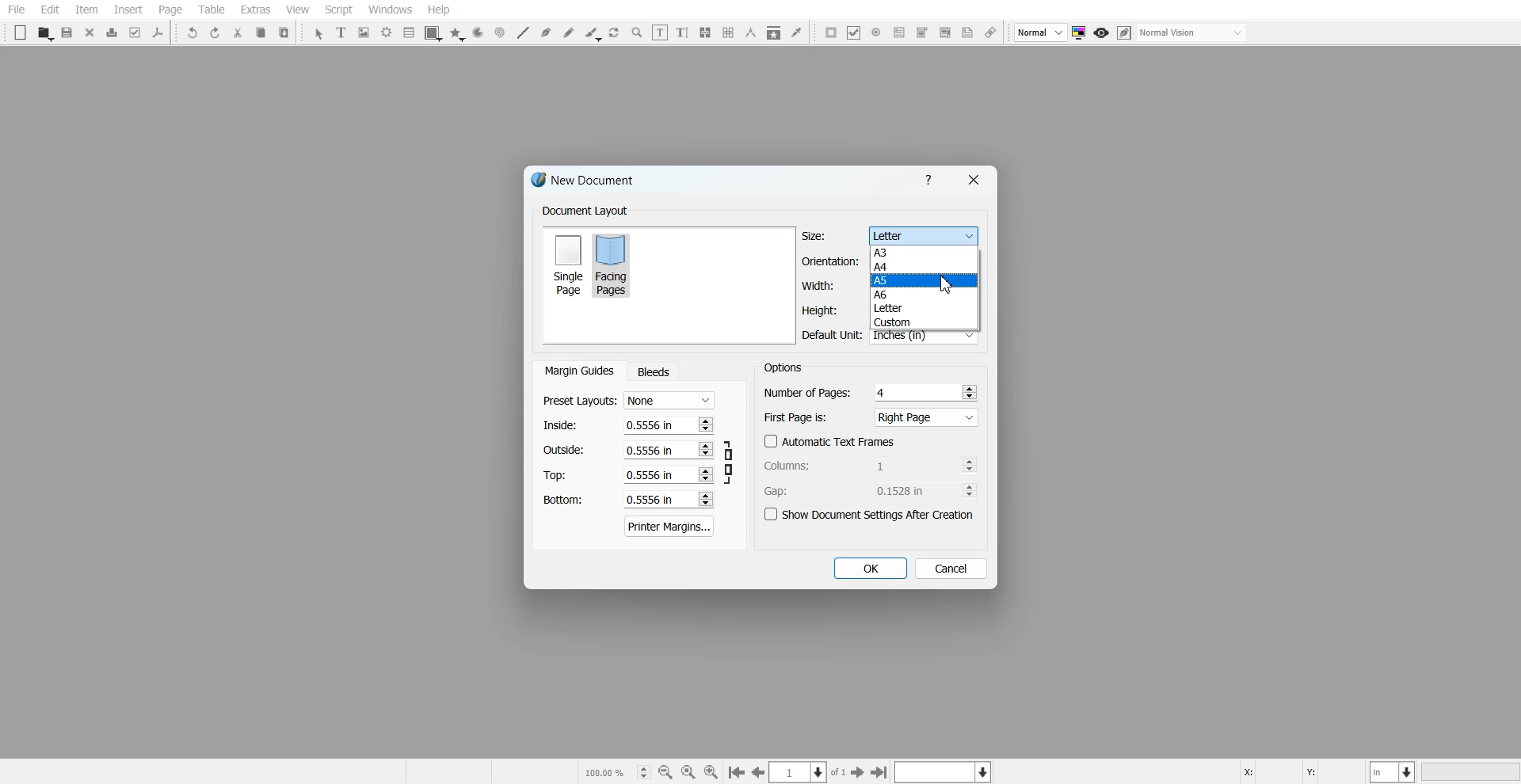 The width and height of the screenshot is (1521, 784). Describe the element at coordinates (883, 392) in the screenshot. I see `4` at that location.